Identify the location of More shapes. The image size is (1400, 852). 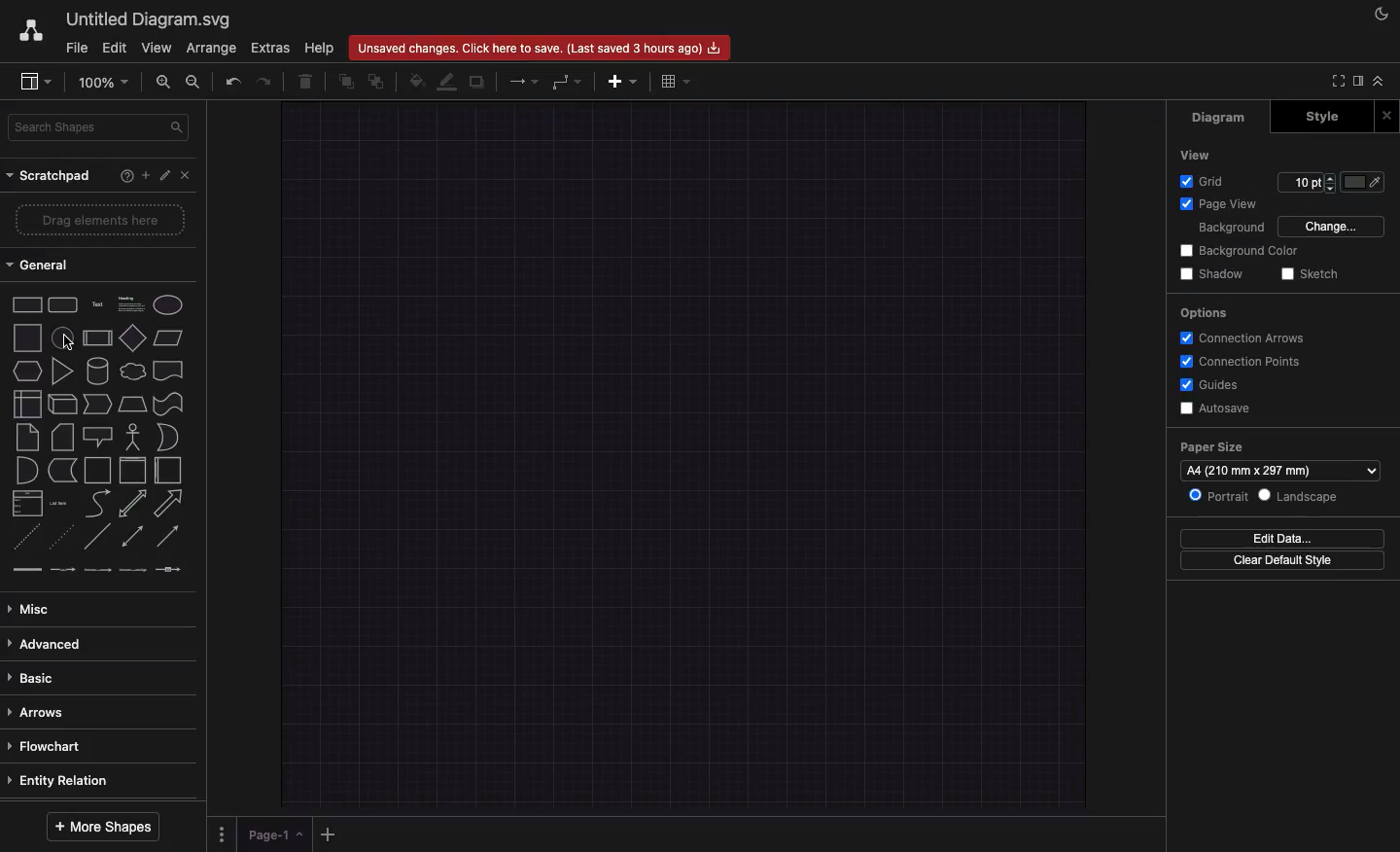
(100, 828).